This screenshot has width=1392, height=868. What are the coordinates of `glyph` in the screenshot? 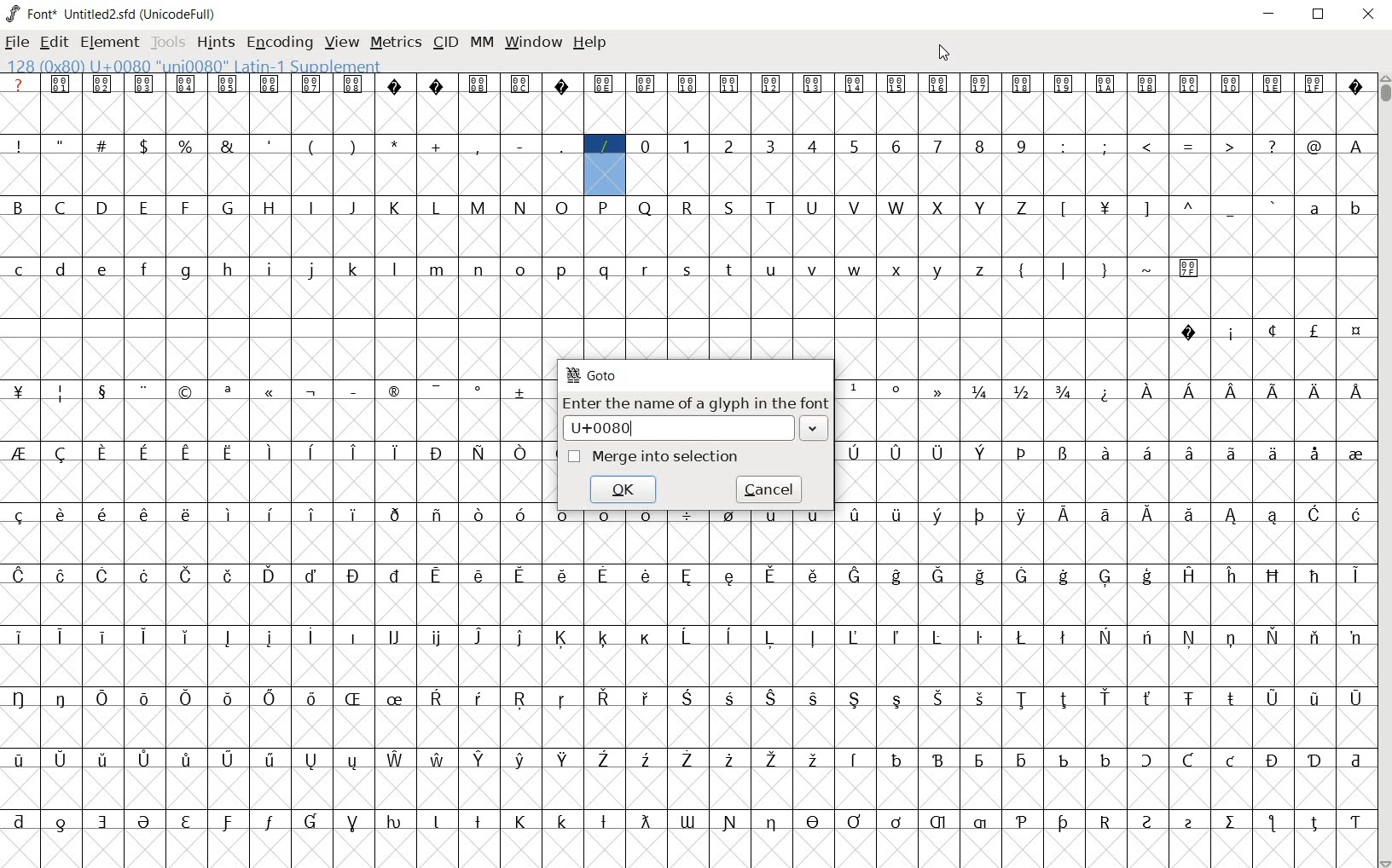 It's located at (19, 516).